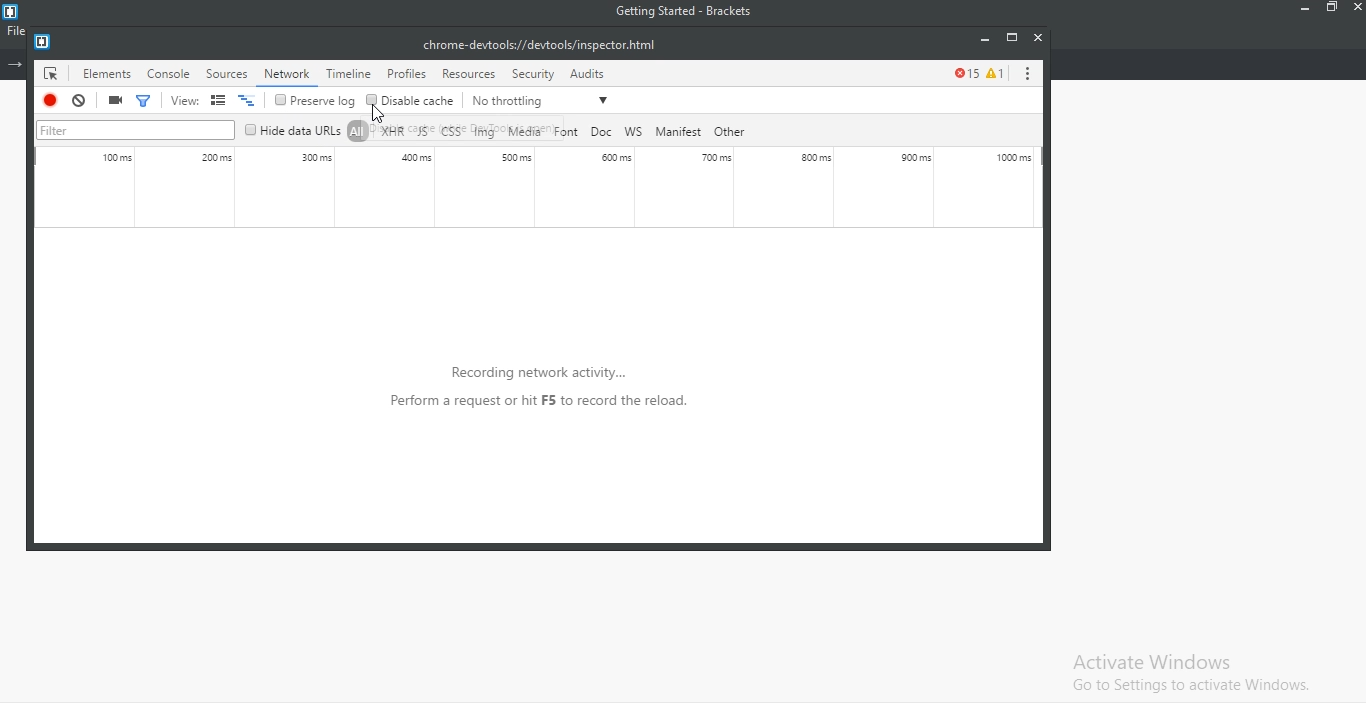 This screenshot has height=728, width=1366. Describe the element at coordinates (115, 100) in the screenshot. I see `record` at that location.